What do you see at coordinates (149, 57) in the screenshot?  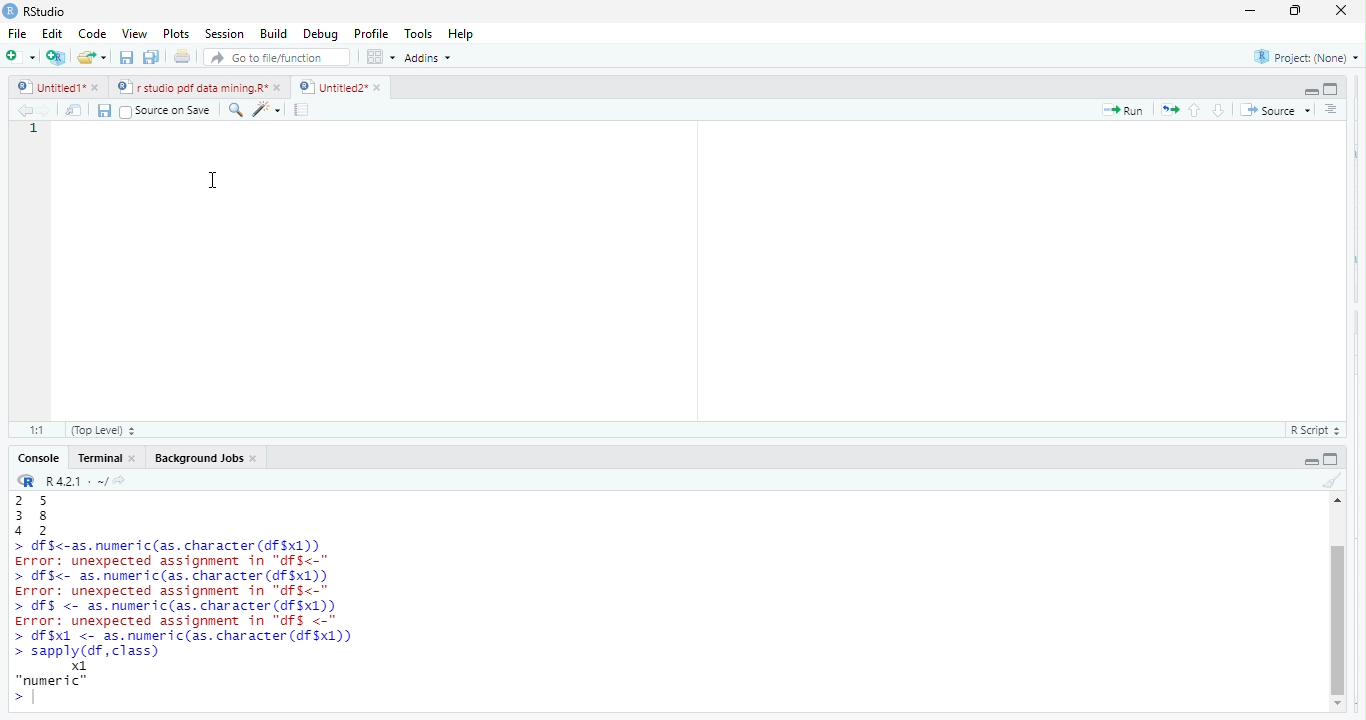 I see `save all open documents` at bounding box center [149, 57].